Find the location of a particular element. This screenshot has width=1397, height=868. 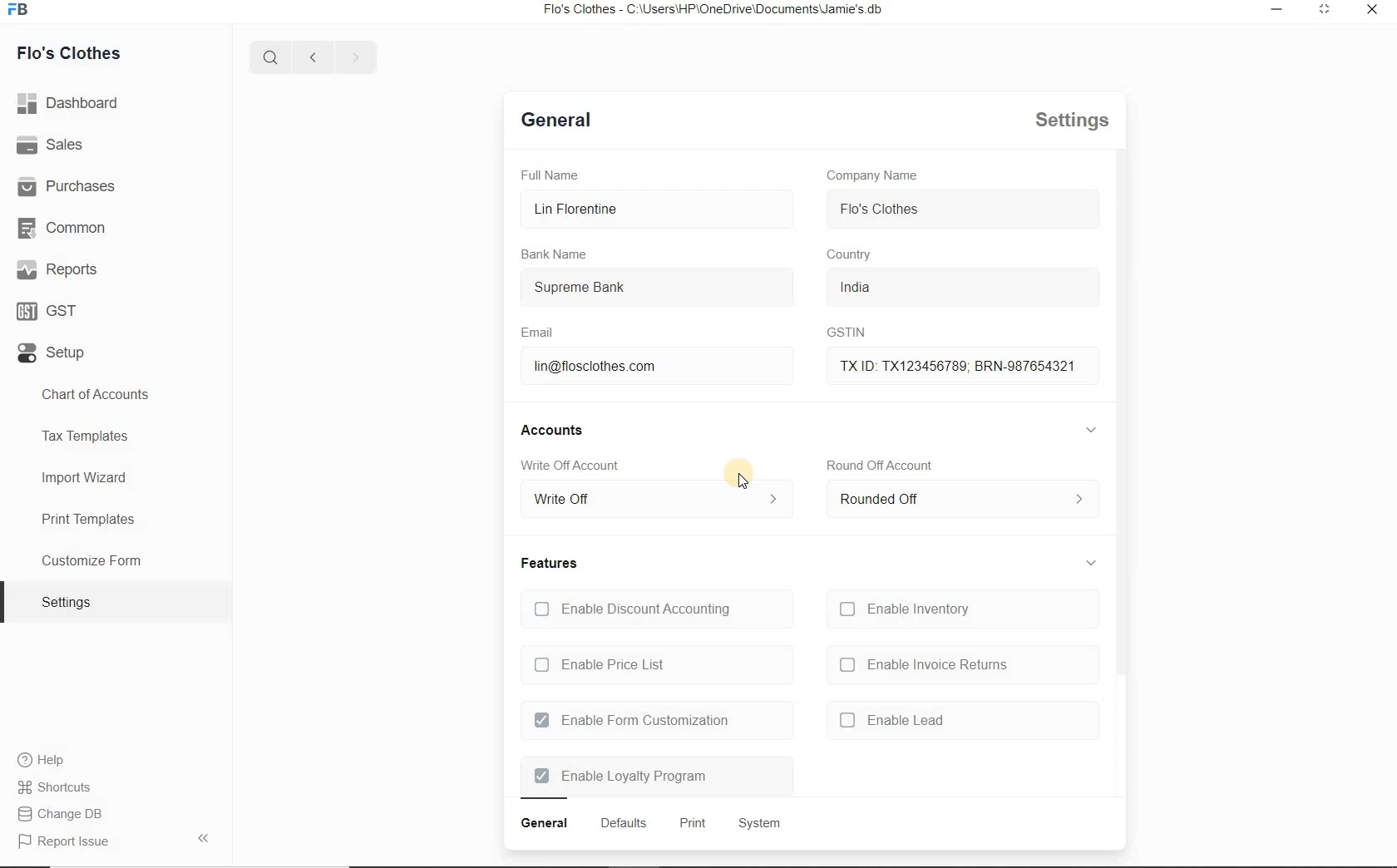

Tax Templates is located at coordinates (115, 439).